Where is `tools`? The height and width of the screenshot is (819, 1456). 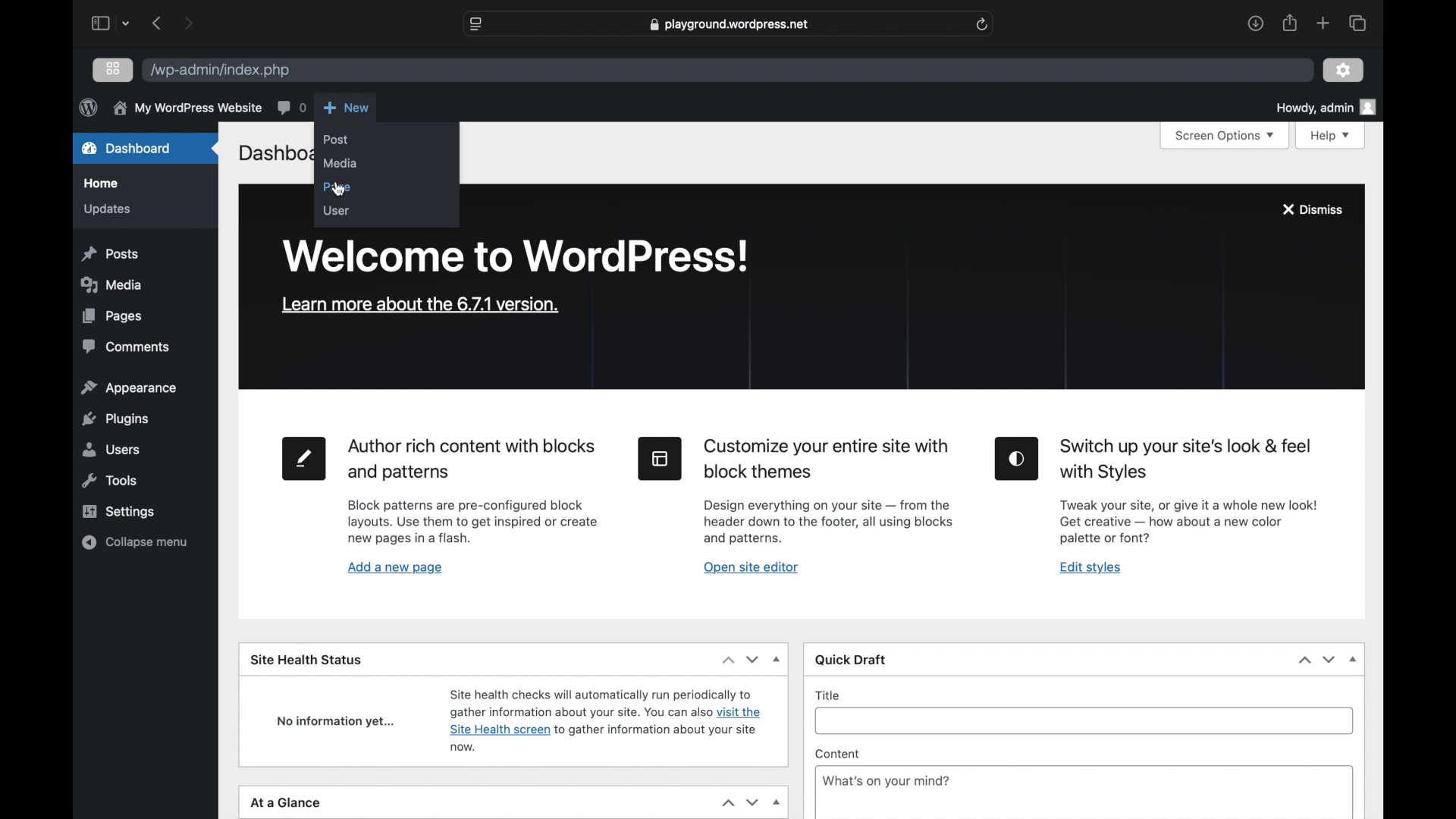
tools is located at coordinates (108, 482).